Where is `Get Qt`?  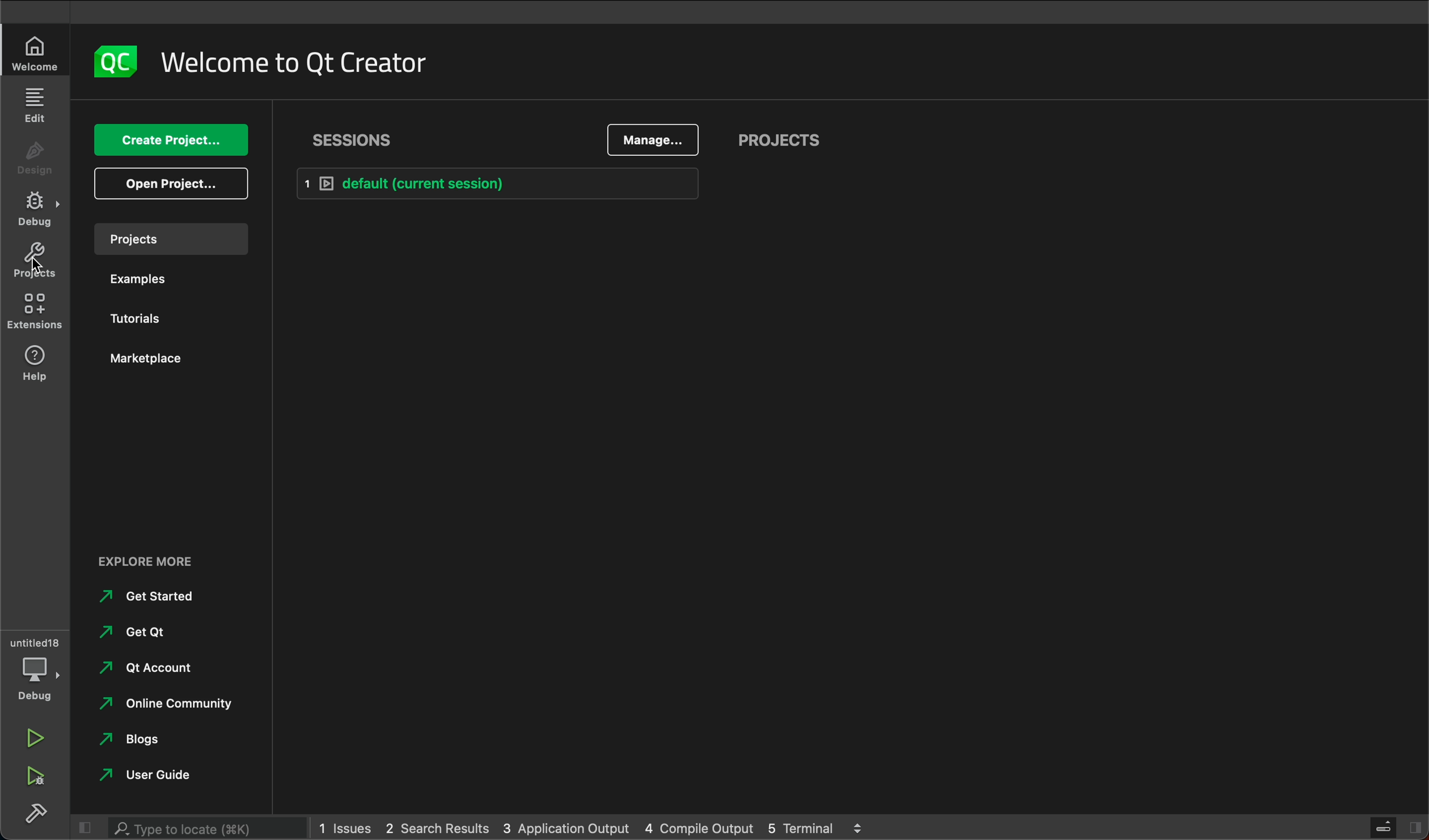 Get Qt is located at coordinates (134, 631).